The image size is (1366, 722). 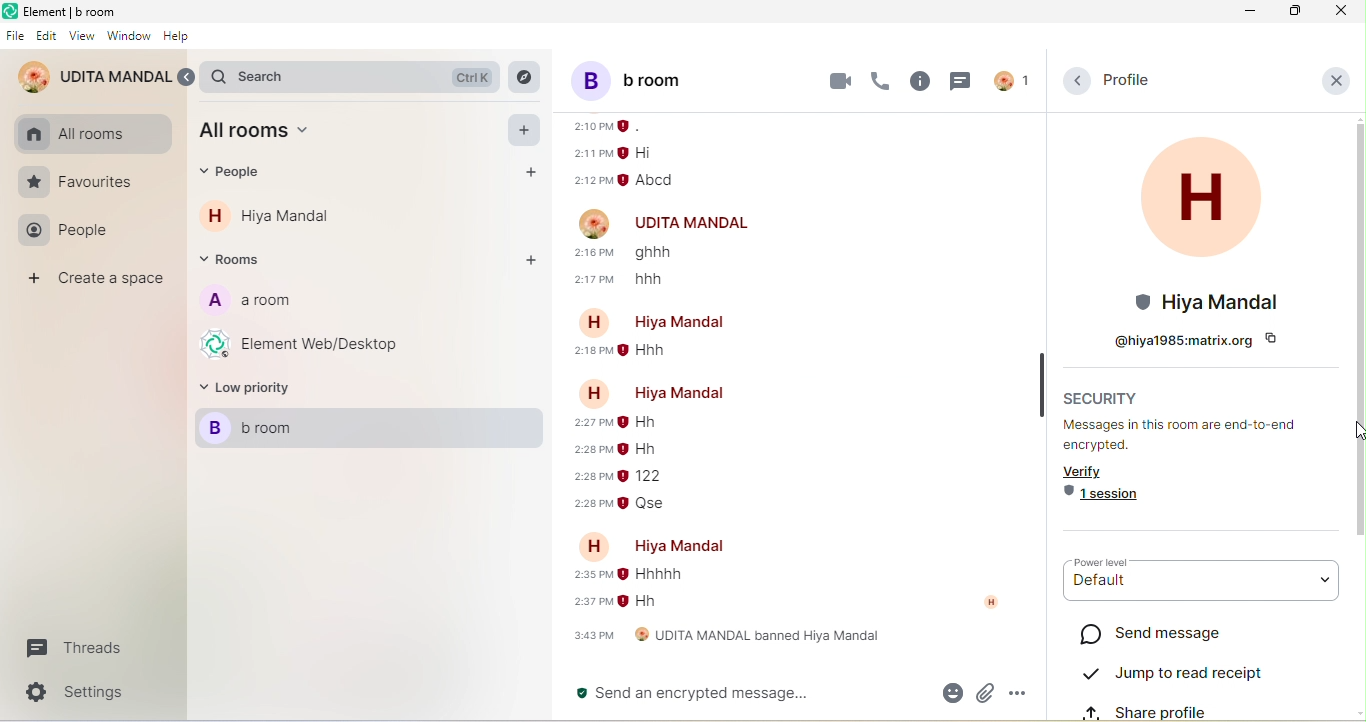 What do you see at coordinates (1190, 436) in the screenshot?
I see `messages in this room are end to end encrypted` at bounding box center [1190, 436].